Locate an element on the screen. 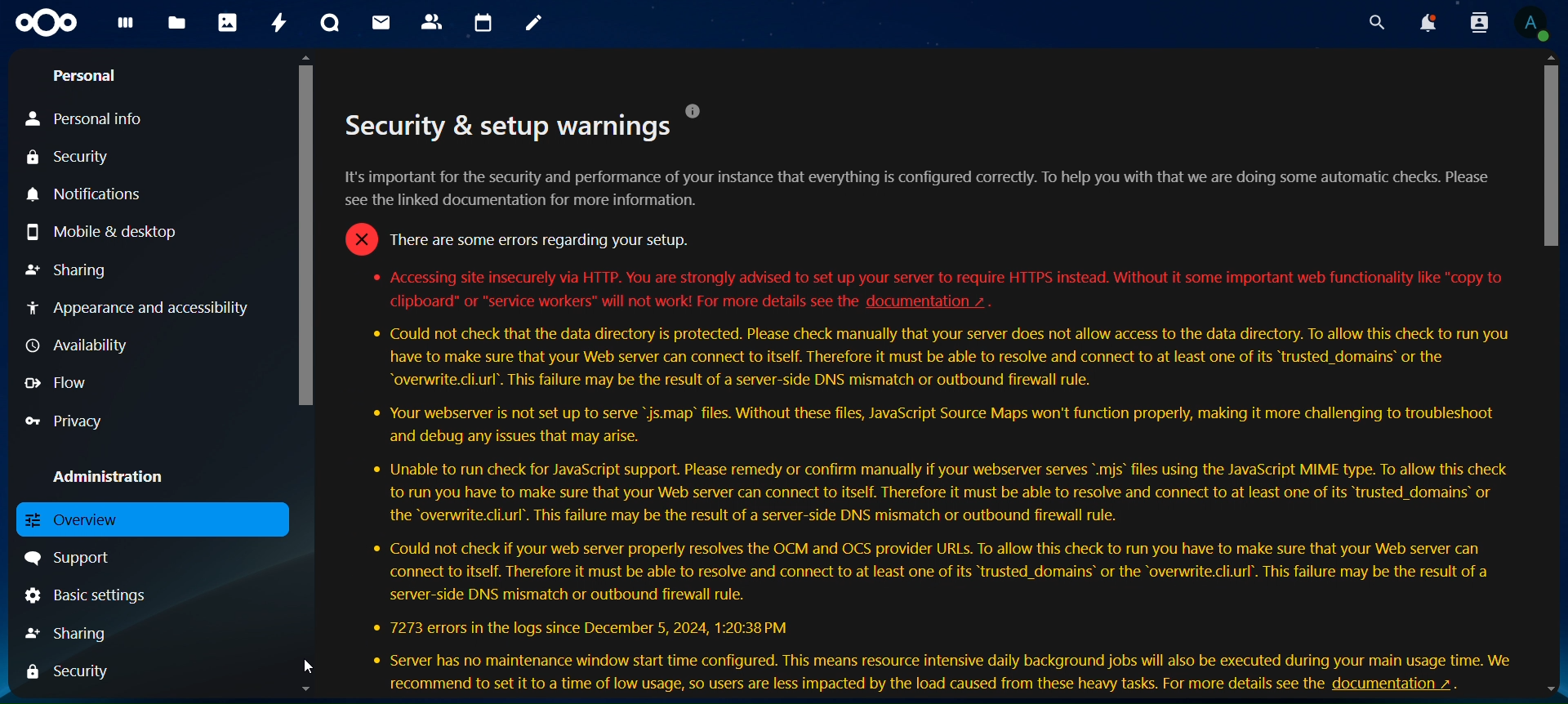 This screenshot has height=704, width=1568. overview is located at coordinates (83, 517).